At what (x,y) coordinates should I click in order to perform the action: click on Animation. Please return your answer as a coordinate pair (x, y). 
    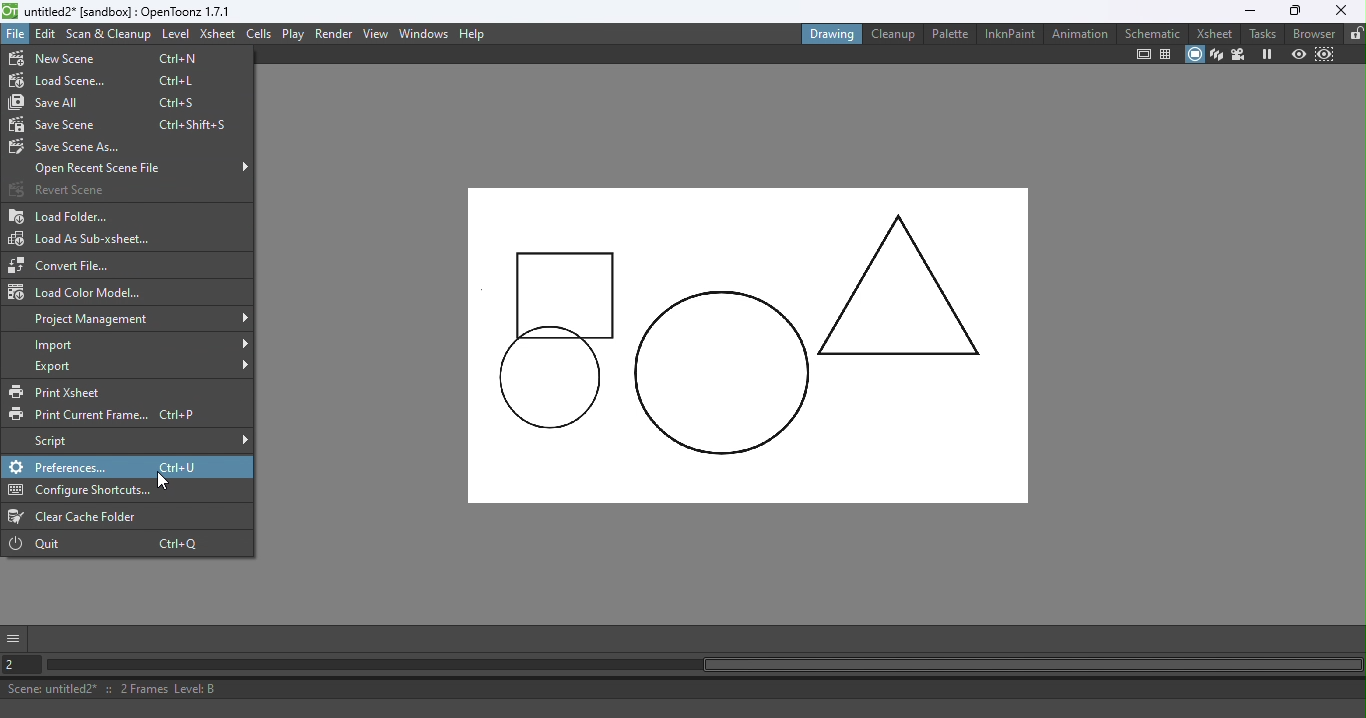
    Looking at the image, I should click on (1081, 33).